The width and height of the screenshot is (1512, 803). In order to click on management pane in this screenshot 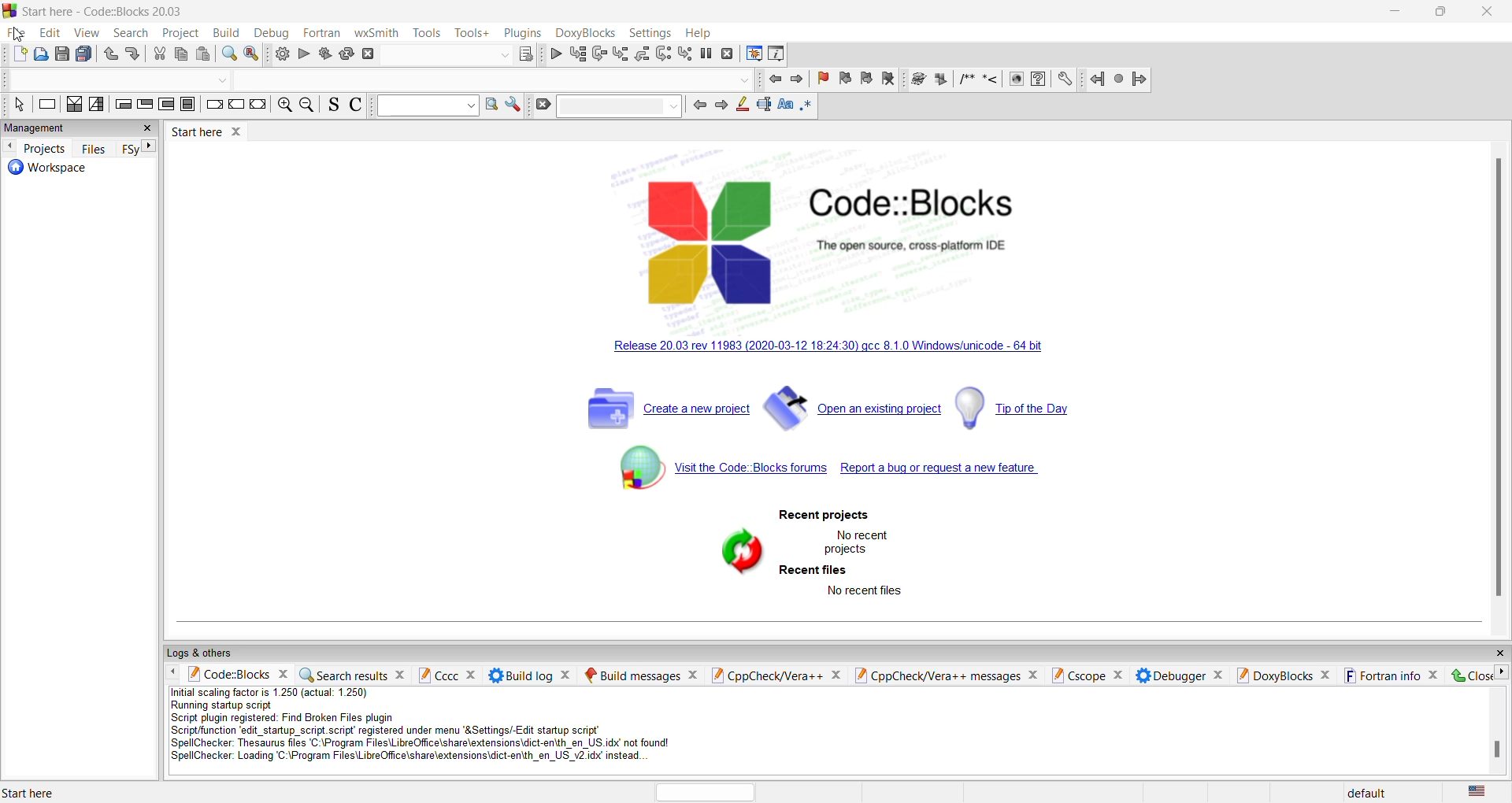, I will do `click(65, 128)`.